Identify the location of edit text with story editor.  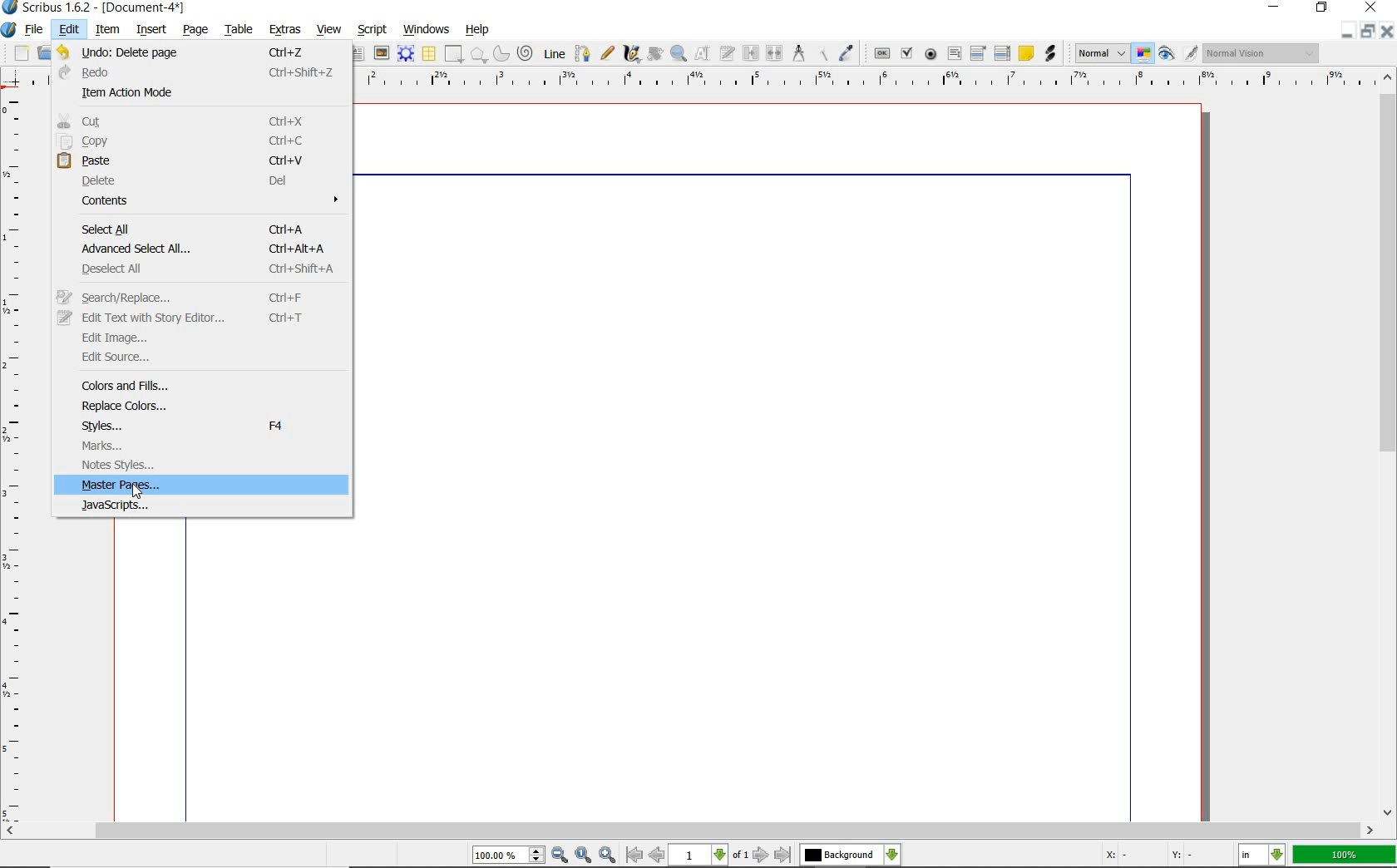
(196, 318).